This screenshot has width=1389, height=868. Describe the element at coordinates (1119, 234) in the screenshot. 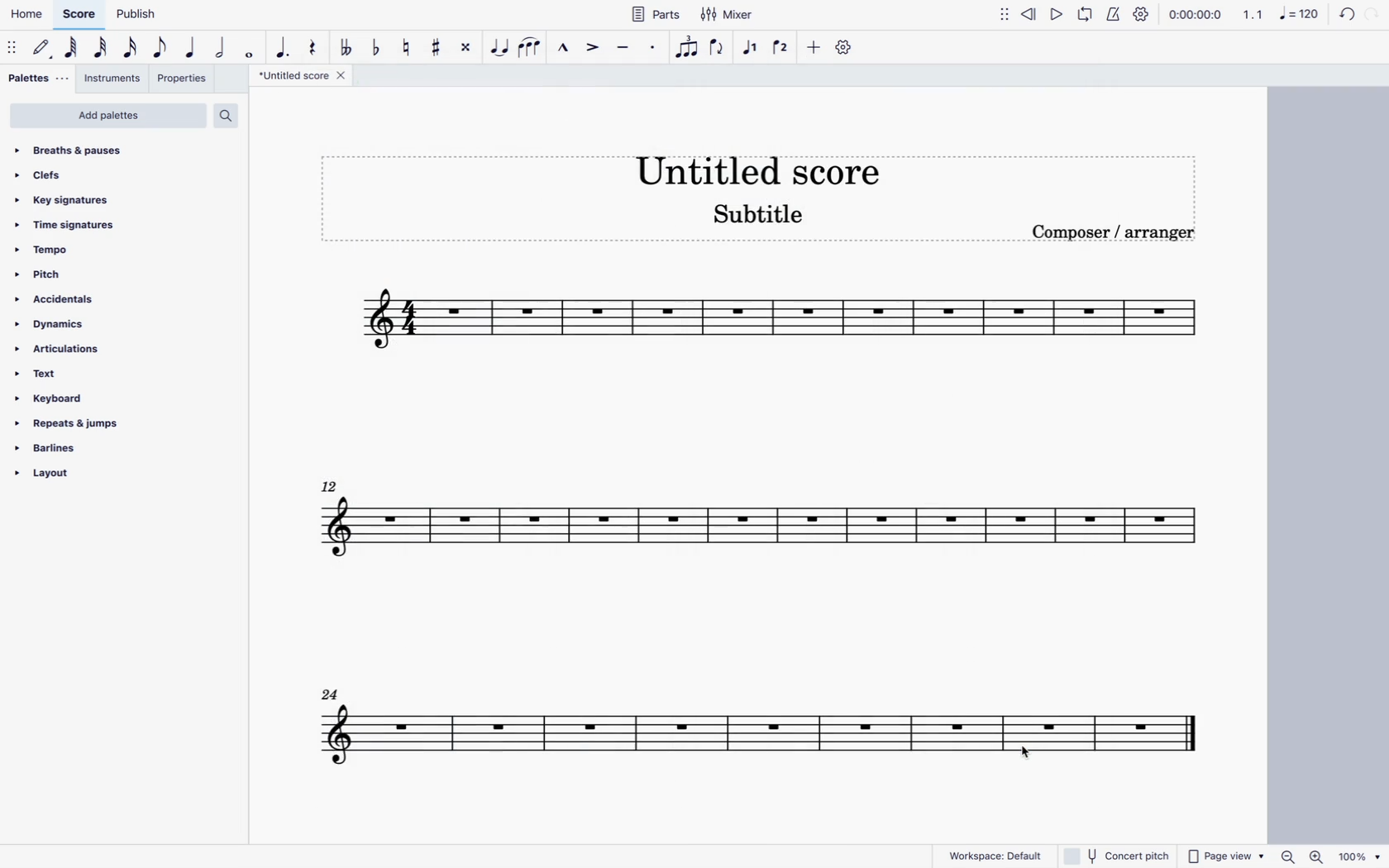

I see `composer / arranger` at that location.